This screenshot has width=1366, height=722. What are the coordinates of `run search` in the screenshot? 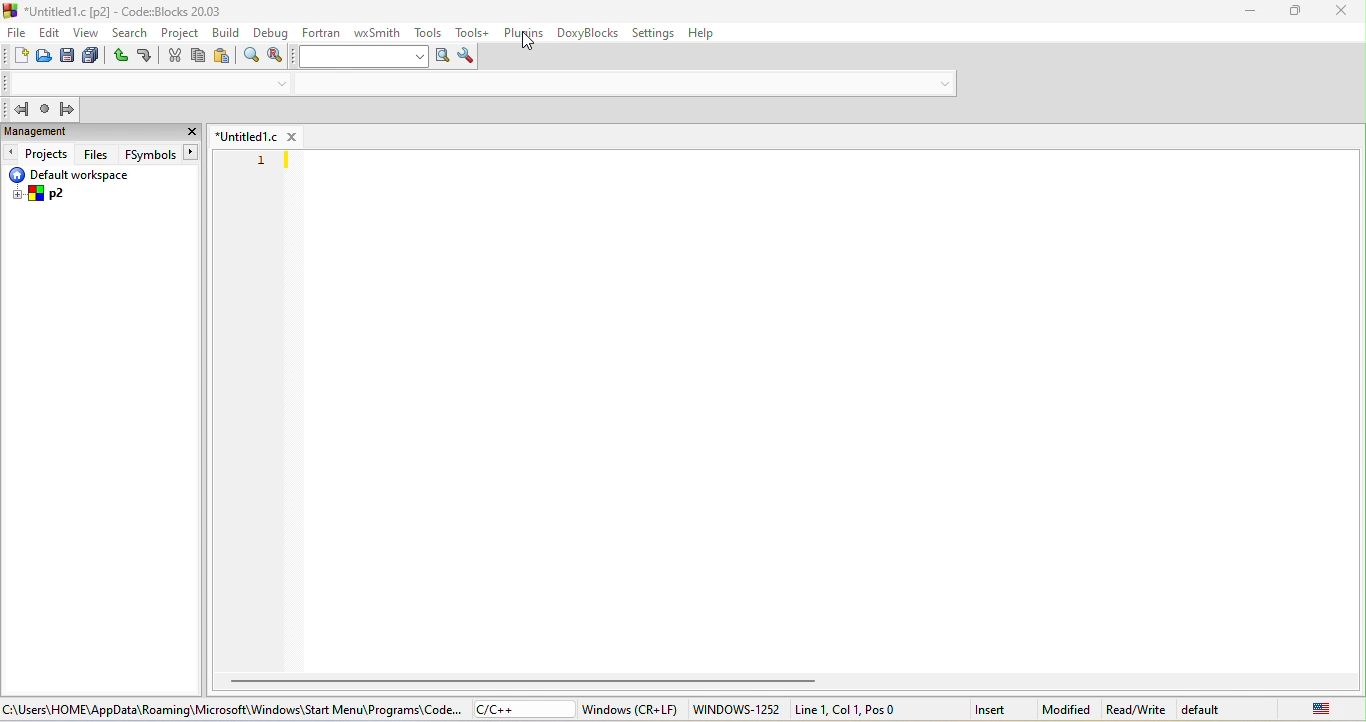 It's located at (444, 58).